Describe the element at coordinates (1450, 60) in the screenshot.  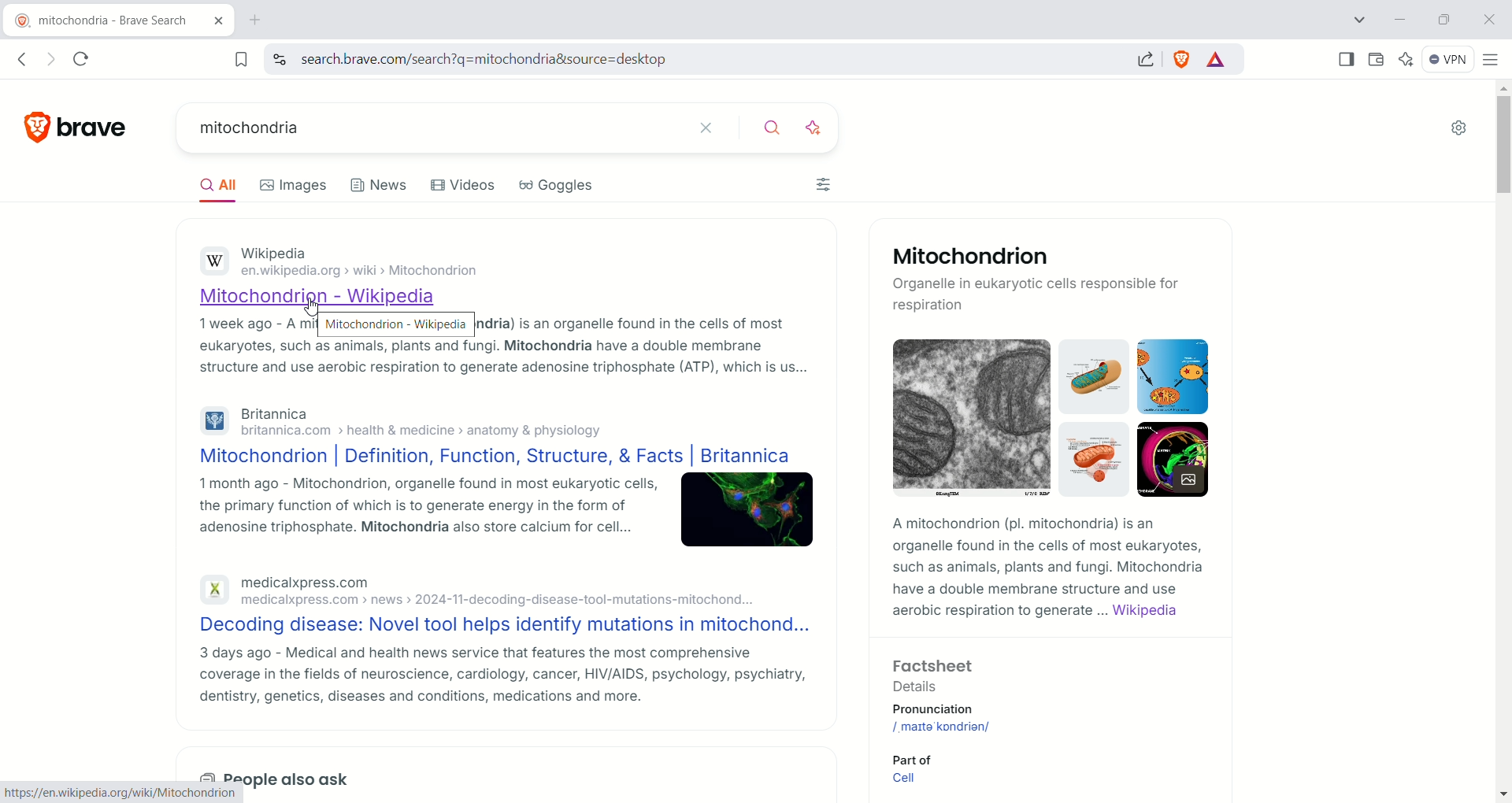
I see `VPN` at that location.